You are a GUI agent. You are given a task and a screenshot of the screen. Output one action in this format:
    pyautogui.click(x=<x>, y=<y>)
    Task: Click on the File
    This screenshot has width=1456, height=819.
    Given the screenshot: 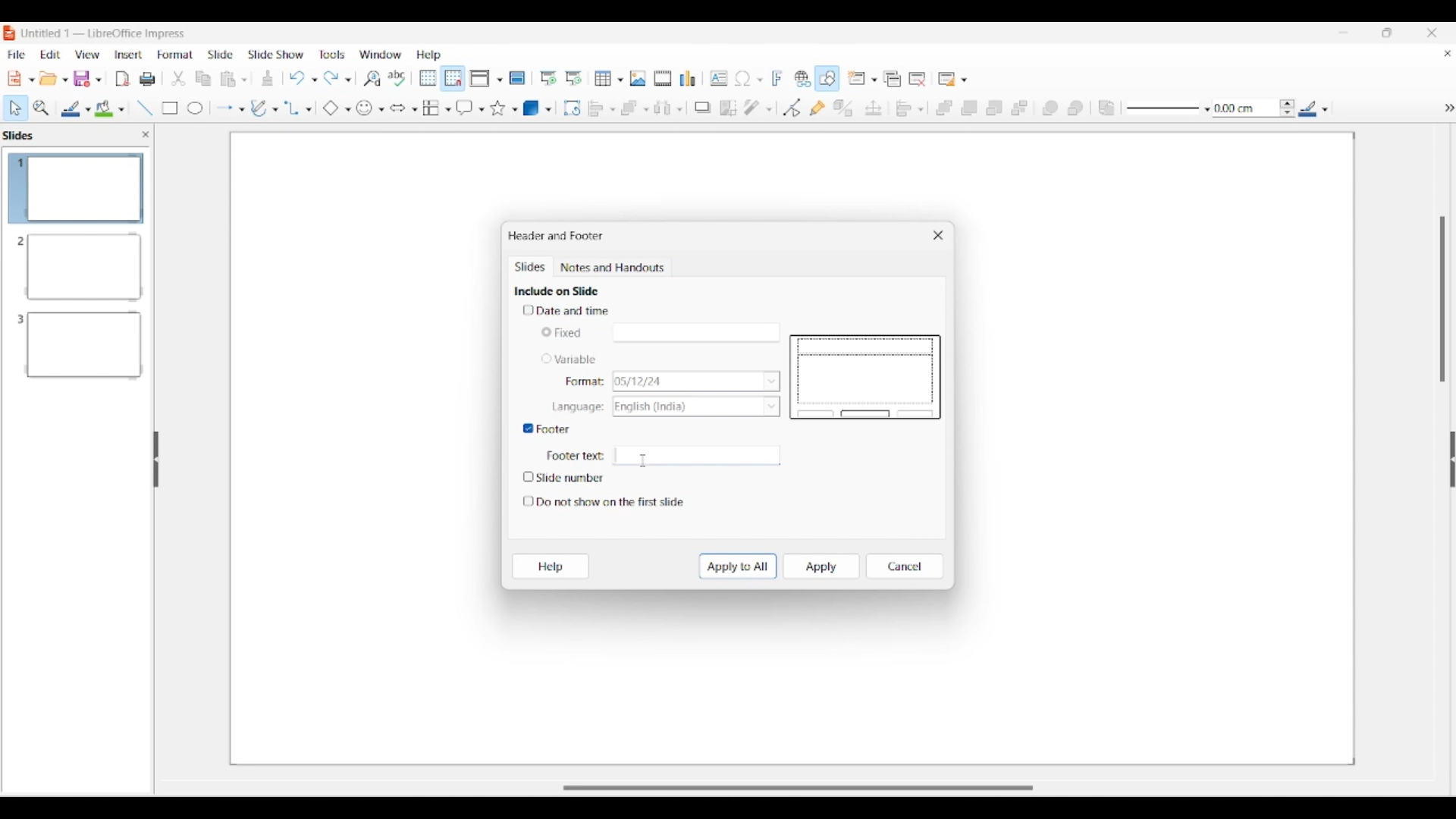 What is the action you would take?
    pyautogui.click(x=121, y=80)
    